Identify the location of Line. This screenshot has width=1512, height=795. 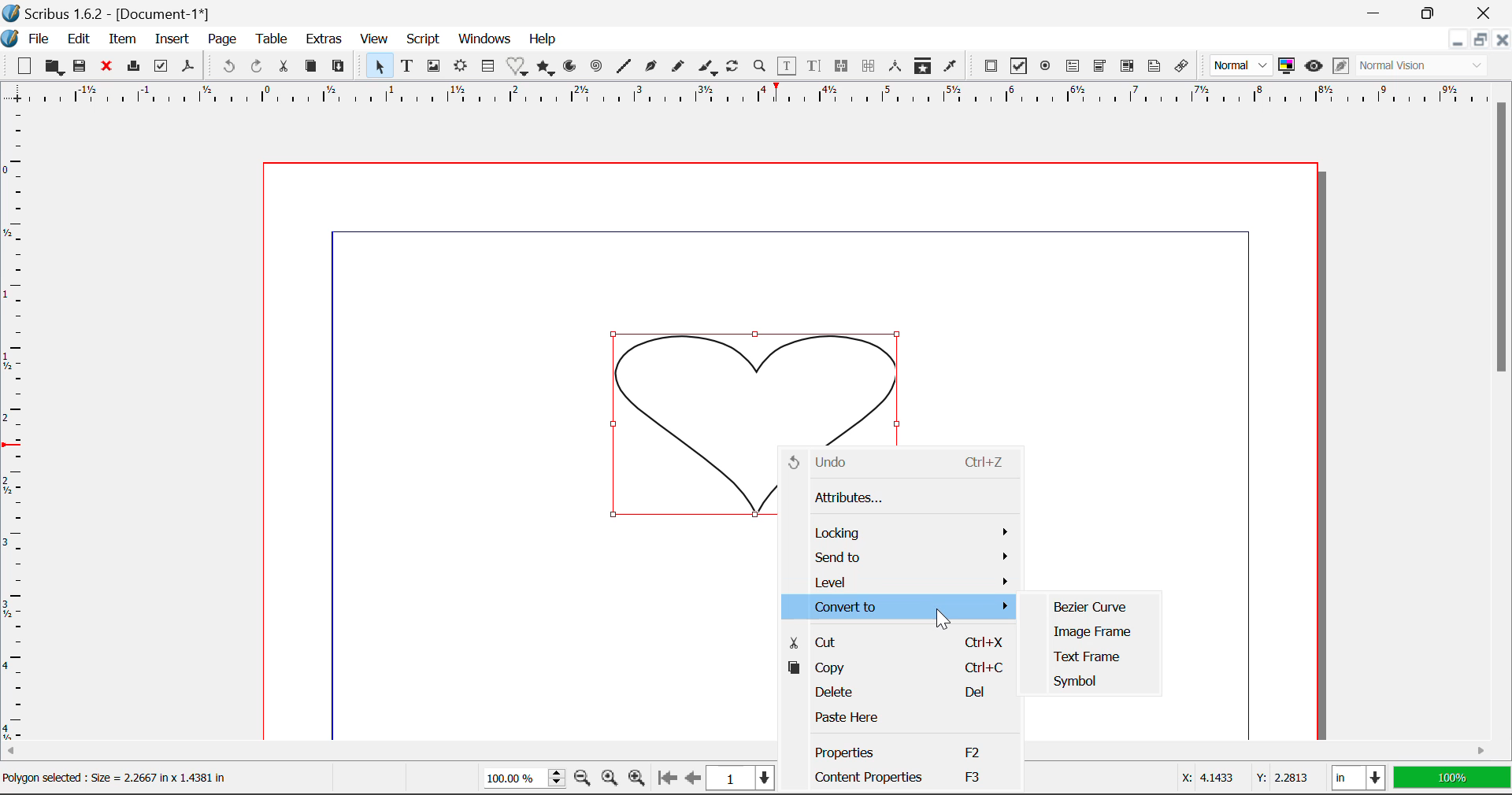
(625, 67).